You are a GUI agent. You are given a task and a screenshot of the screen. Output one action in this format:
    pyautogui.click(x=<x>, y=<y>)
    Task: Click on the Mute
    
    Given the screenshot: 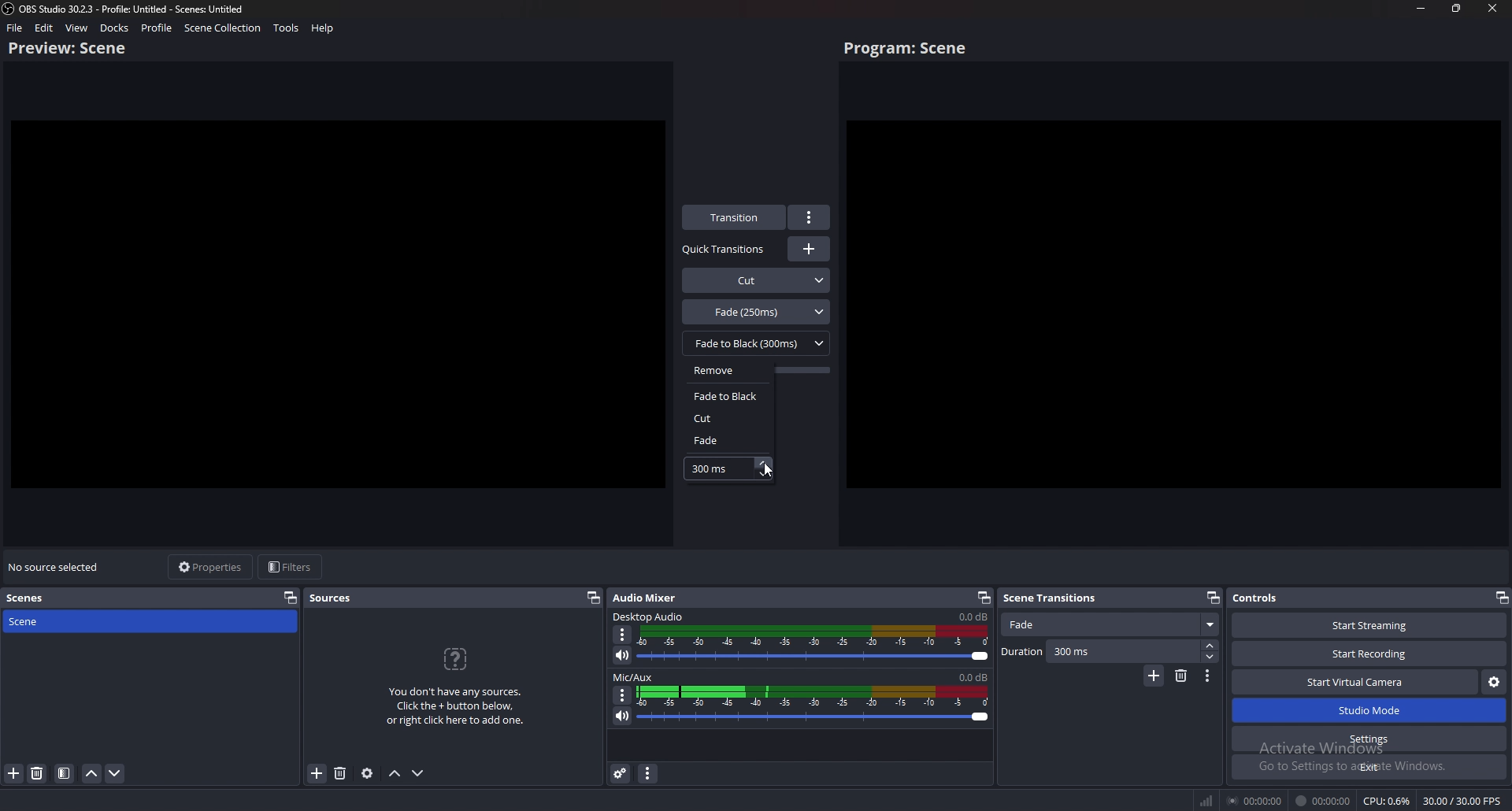 What is the action you would take?
    pyautogui.click(x=624, y=656)
    